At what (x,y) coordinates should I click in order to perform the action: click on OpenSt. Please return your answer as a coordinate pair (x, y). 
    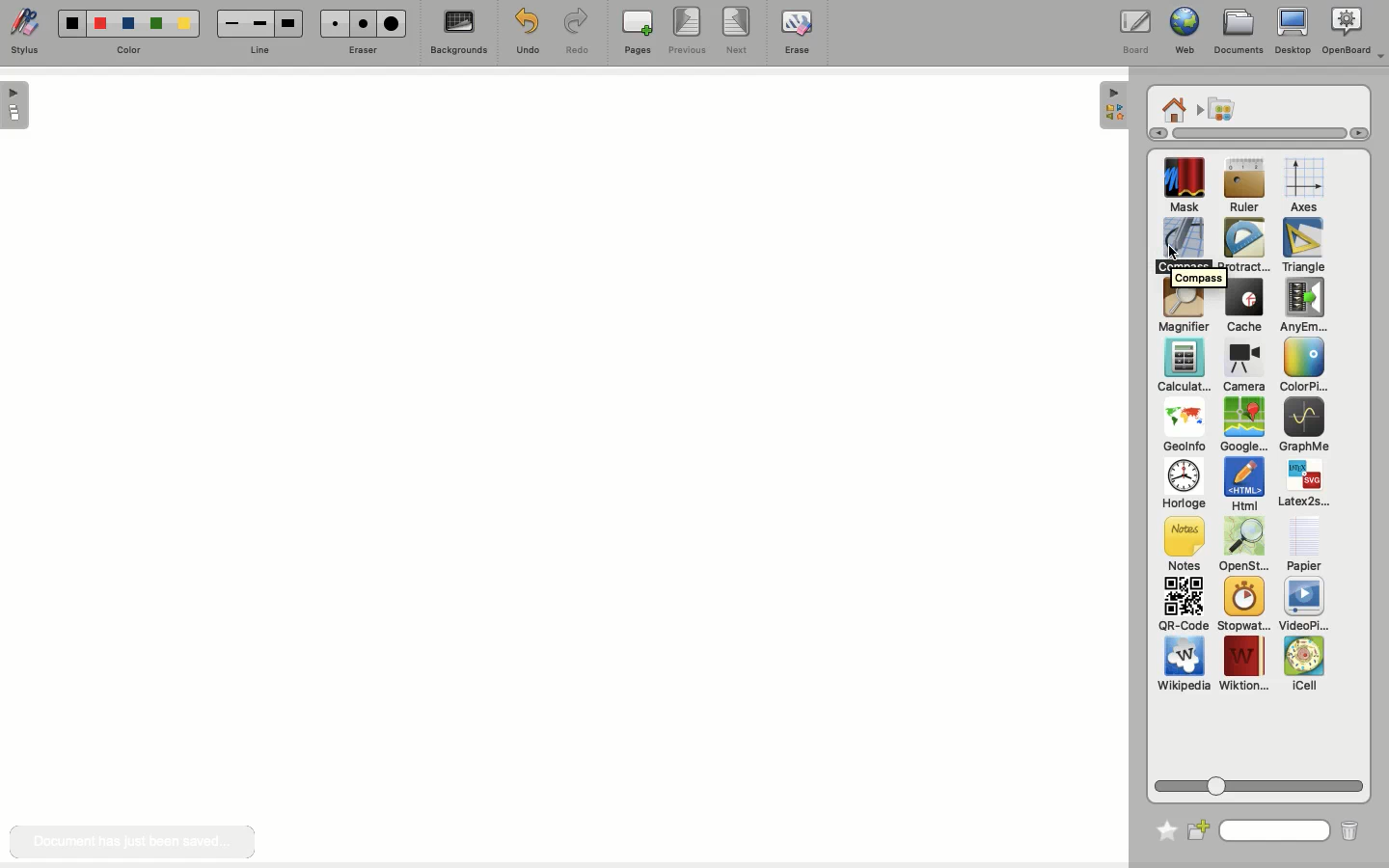
    Looking at the image, I should click on (1239, 547).